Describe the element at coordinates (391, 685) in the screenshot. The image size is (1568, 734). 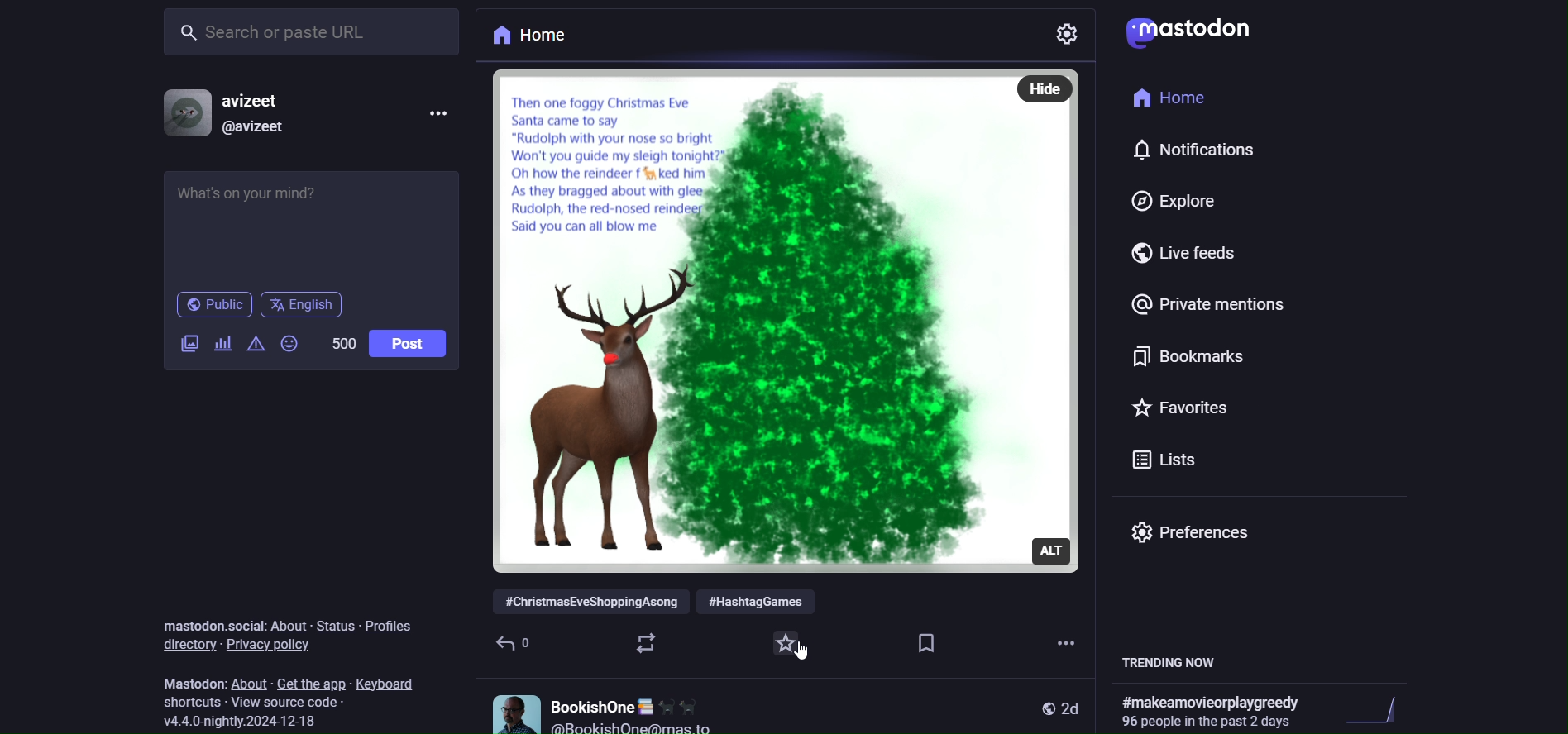
I see `keyboard` at that location.